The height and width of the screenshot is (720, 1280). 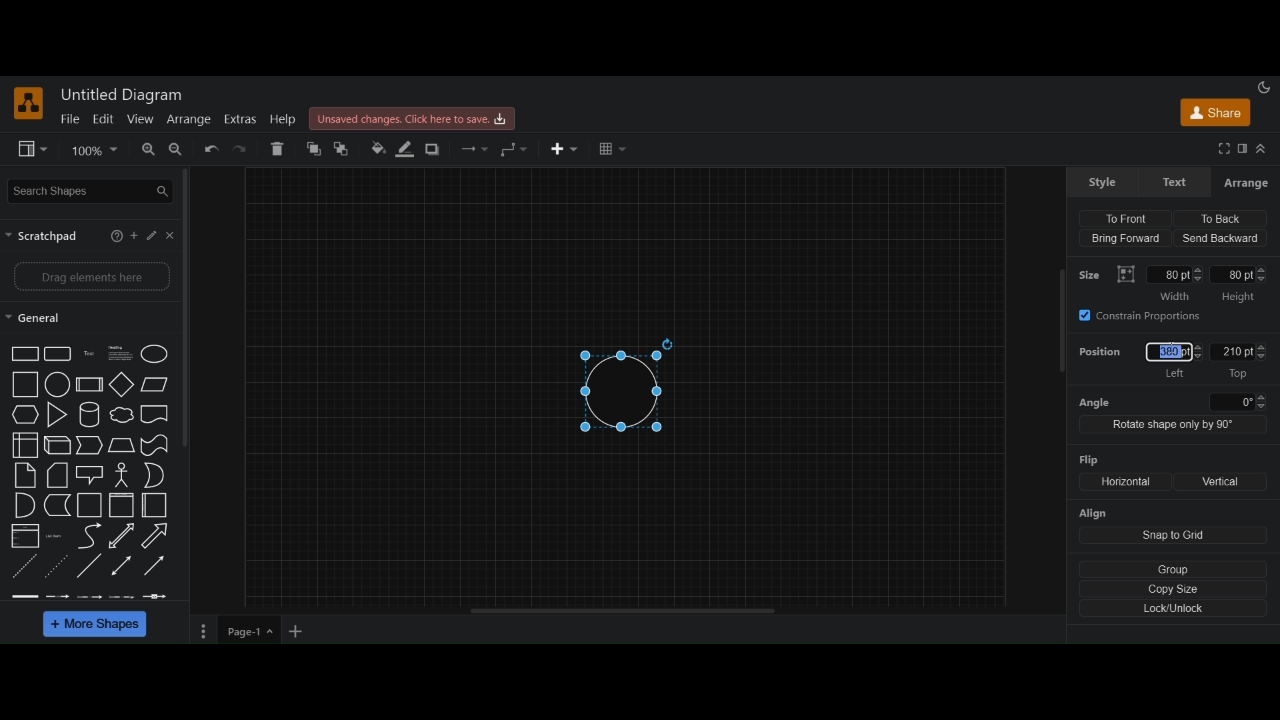 I want to click on format, so click(x=1242, y=150).